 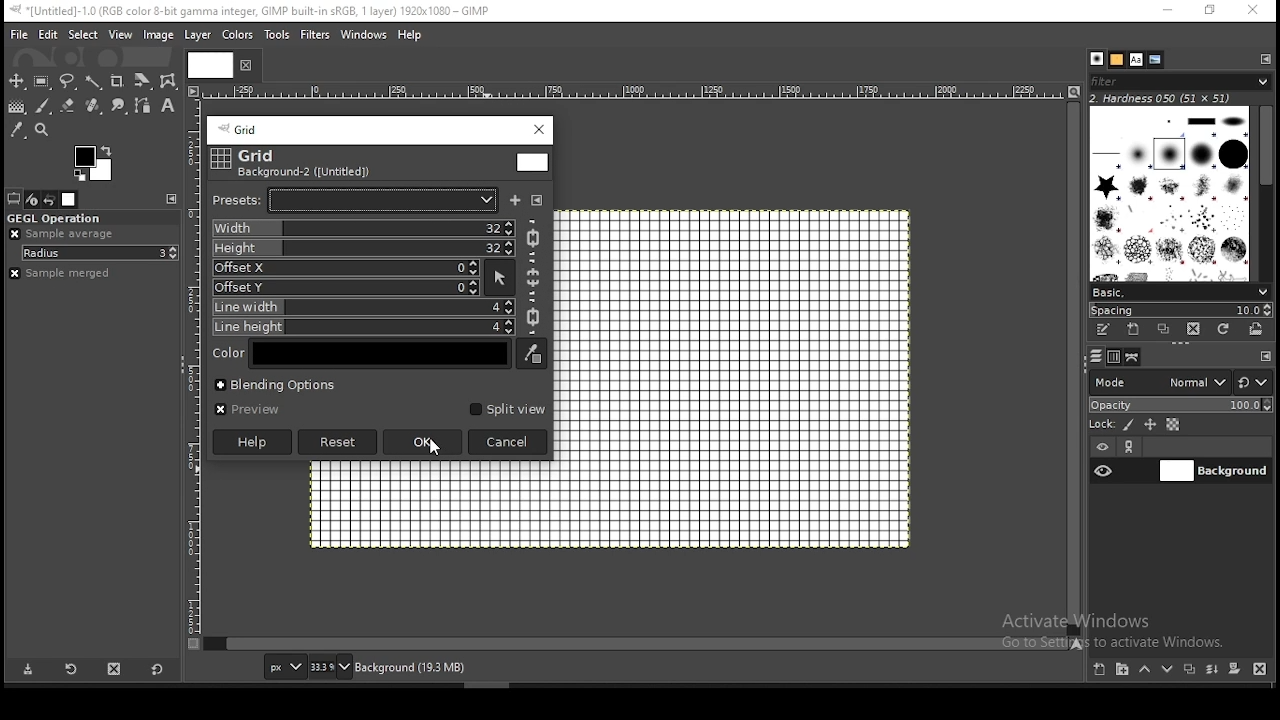 I want to click on grid, so click(x=258, y=155).